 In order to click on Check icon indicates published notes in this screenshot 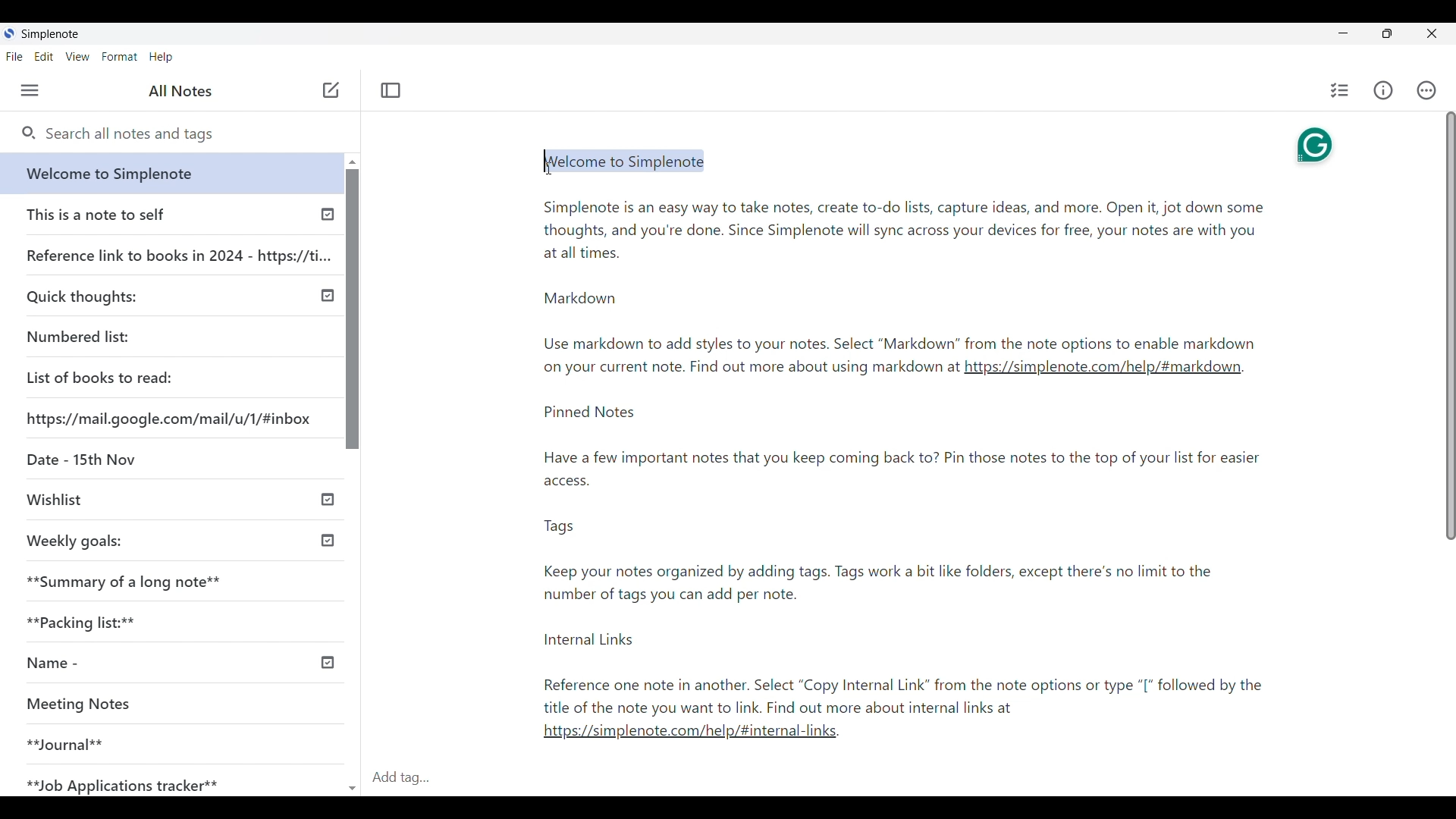, I will do `click(326, 538)`.